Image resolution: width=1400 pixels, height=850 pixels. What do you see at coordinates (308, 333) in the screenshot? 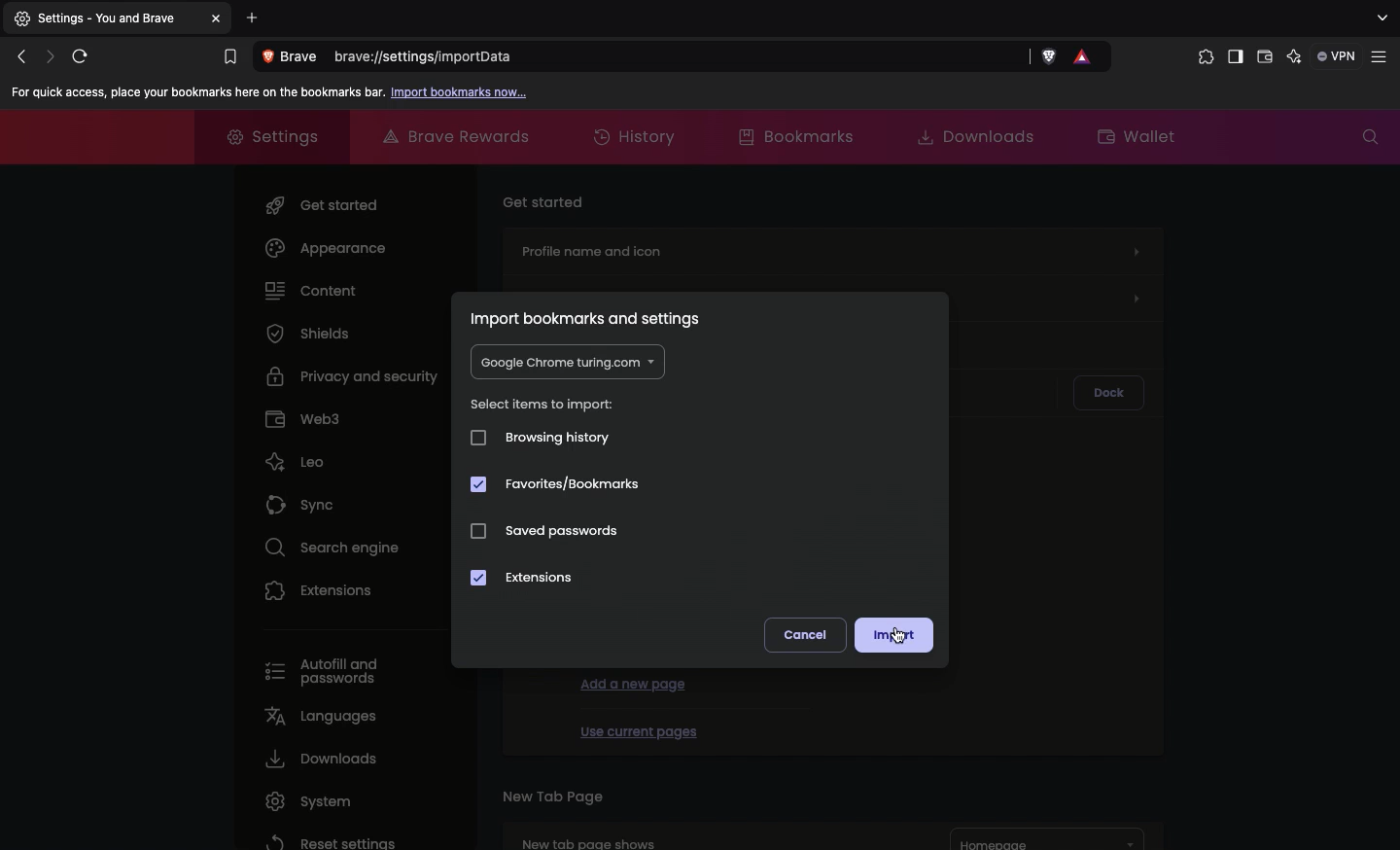
I see `Shields` at bounding box center [308, 333].